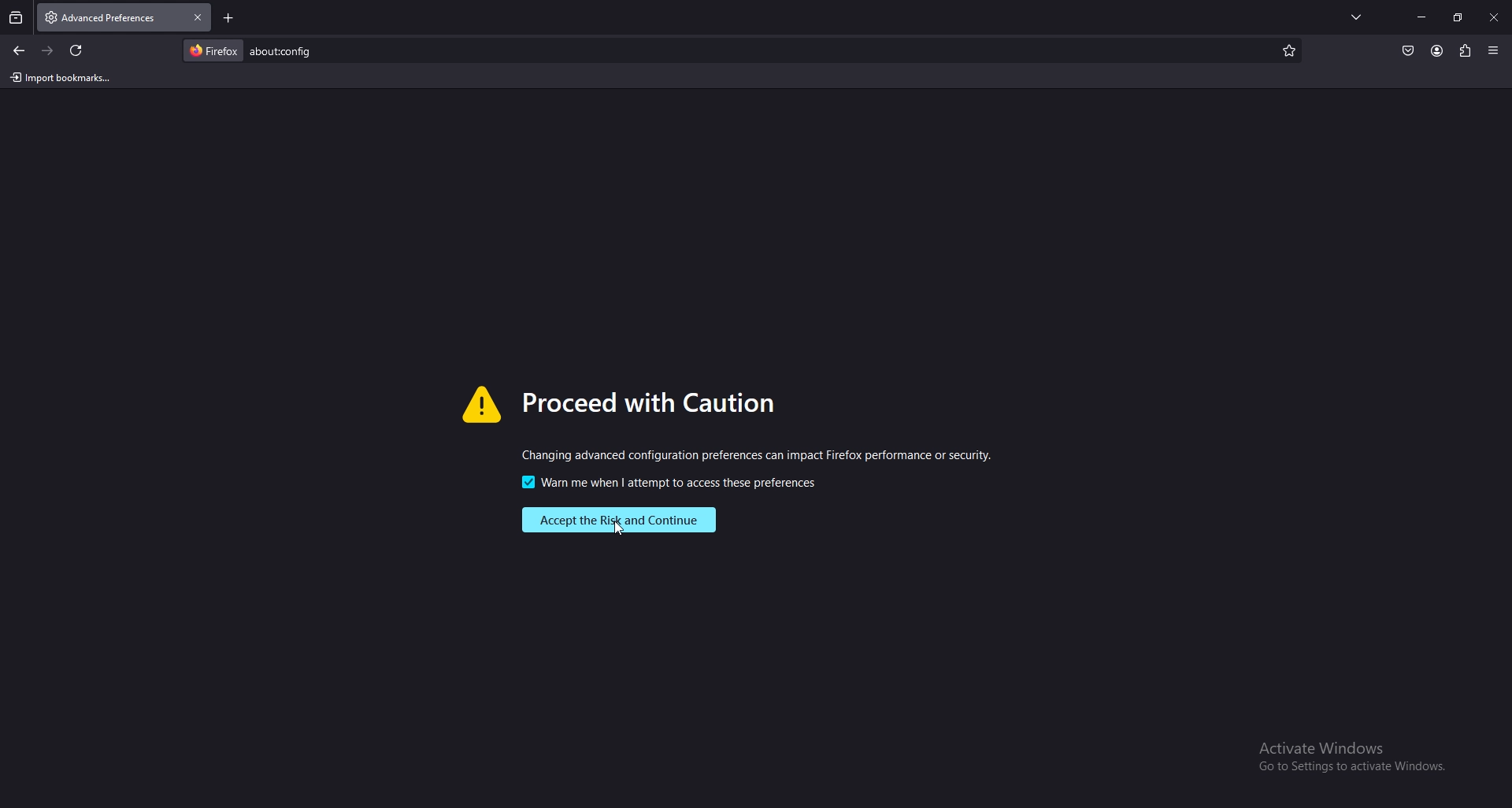 Image resolution: width=1512 pixels, height=808 pixels. Describe the element at coordinates (76, 50) in the screenshot. I see `refresh` at that location.